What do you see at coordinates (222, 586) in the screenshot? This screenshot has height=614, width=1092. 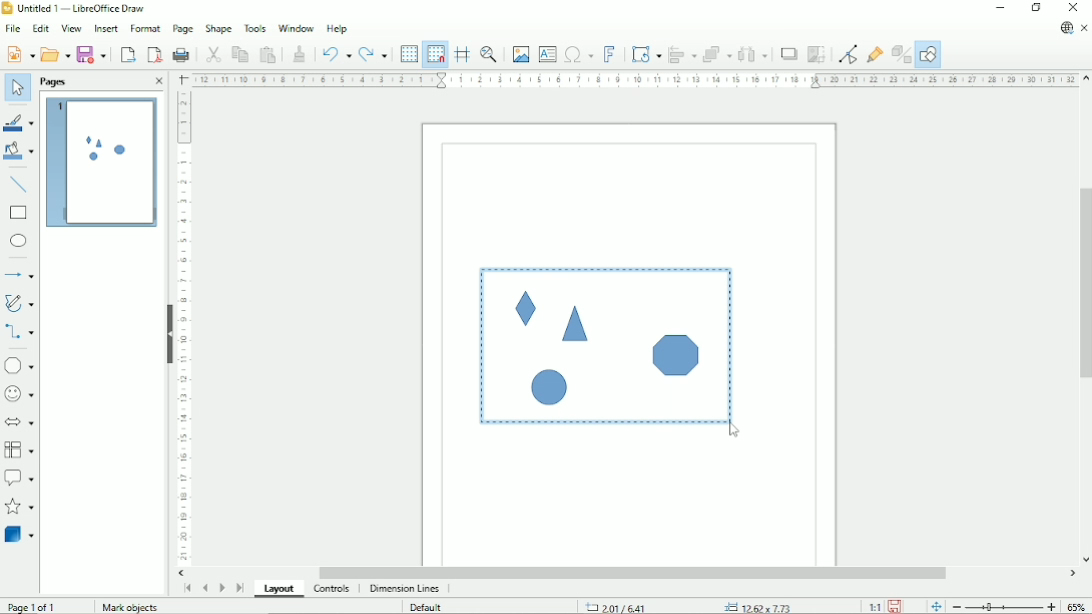 I see `Scroll to next page` at bounding box center [222, 586].